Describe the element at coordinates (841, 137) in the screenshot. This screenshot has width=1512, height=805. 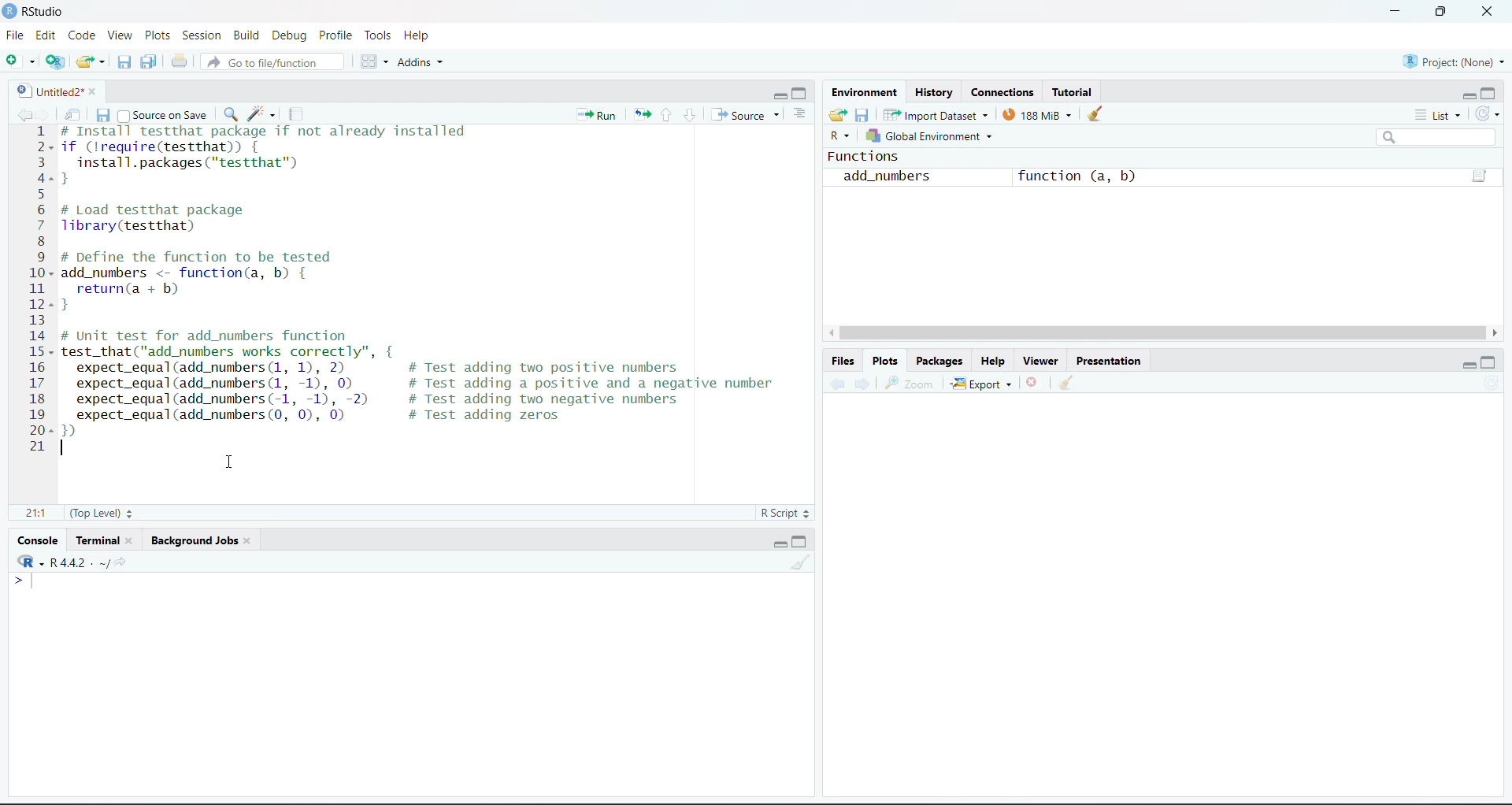
I see `R` at that location.